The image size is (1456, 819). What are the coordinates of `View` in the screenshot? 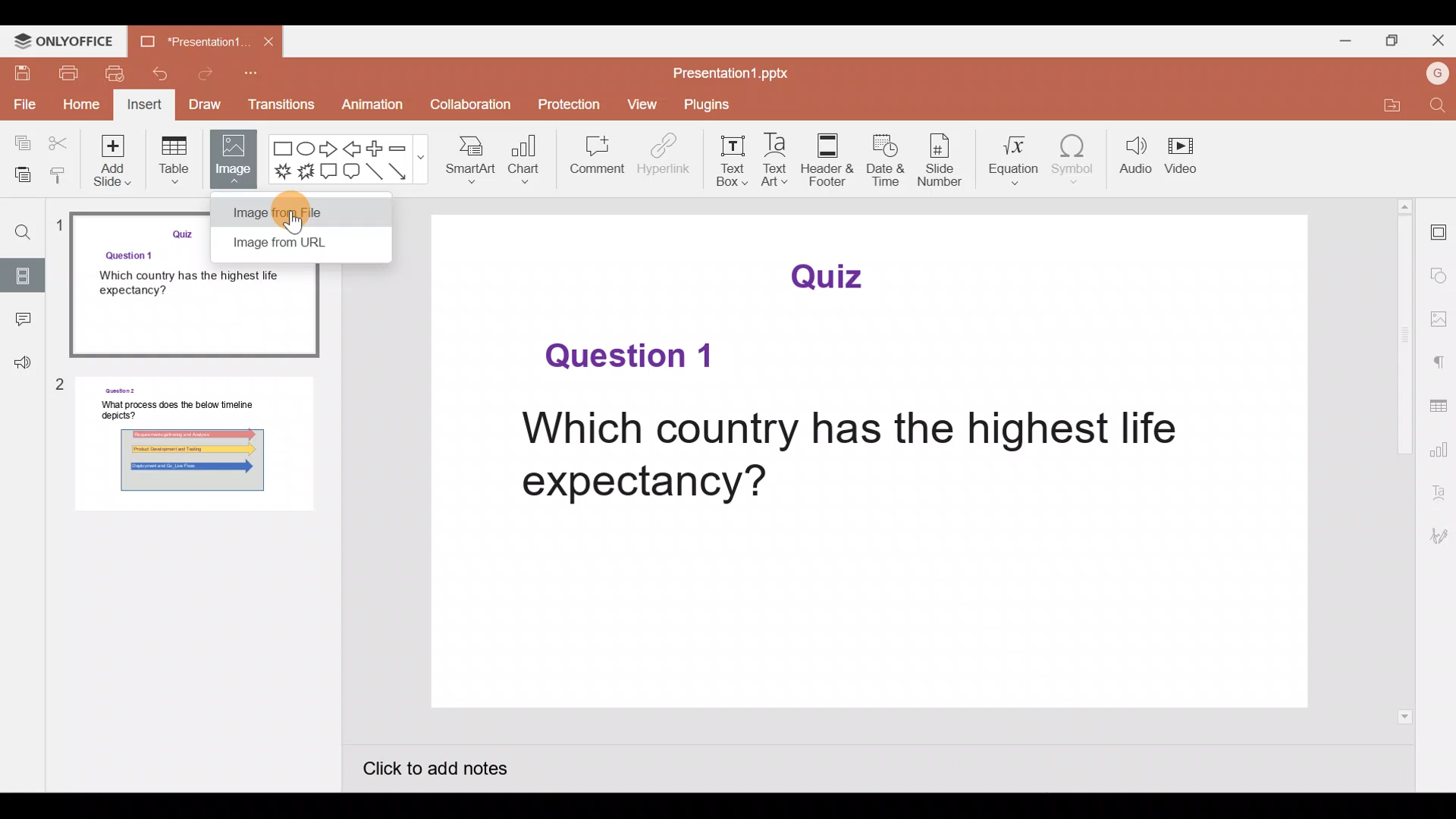 It's located at (642, 106).